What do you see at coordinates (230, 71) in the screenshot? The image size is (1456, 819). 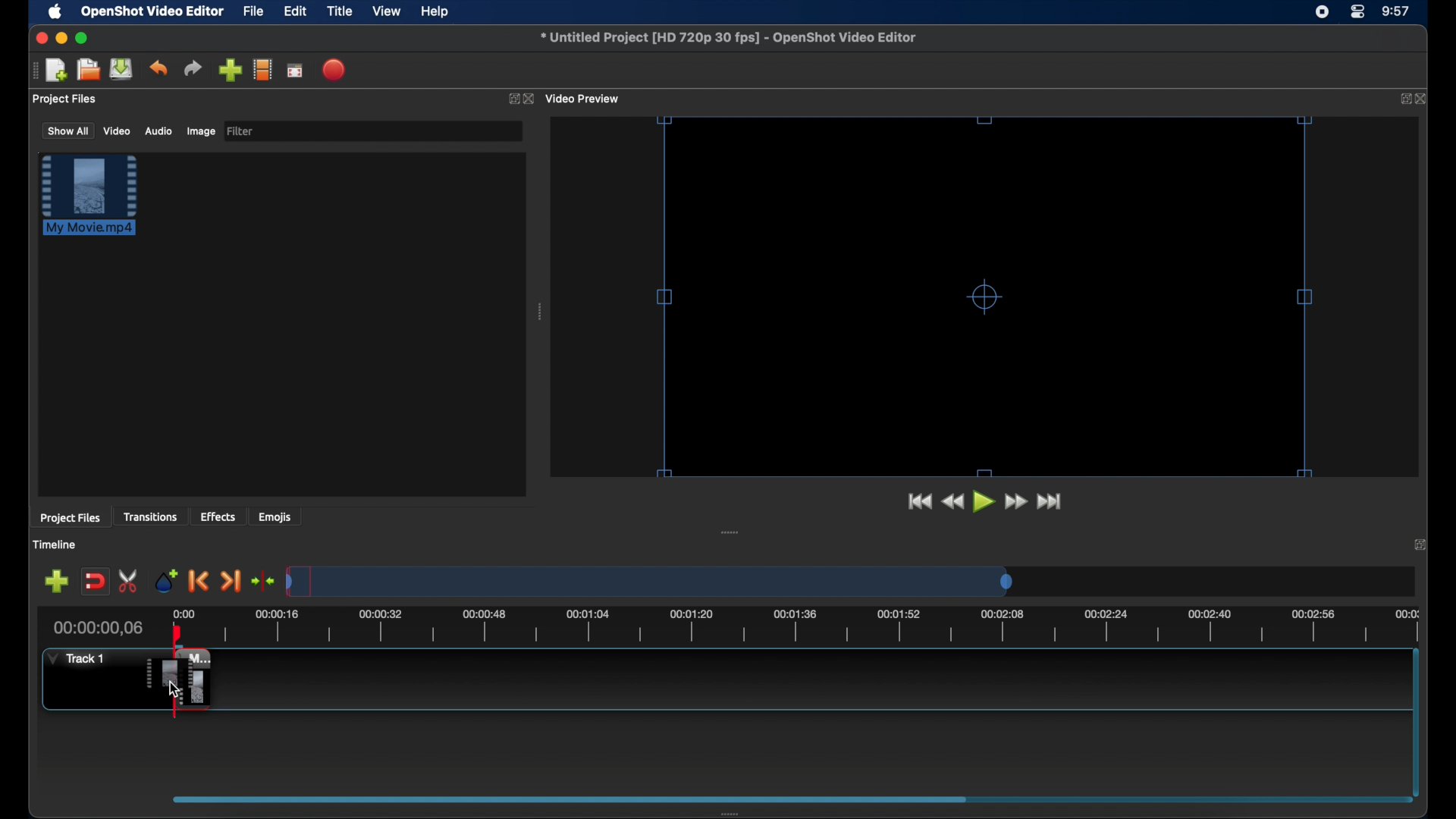 I see `import files` at bounding box center [230, 71].